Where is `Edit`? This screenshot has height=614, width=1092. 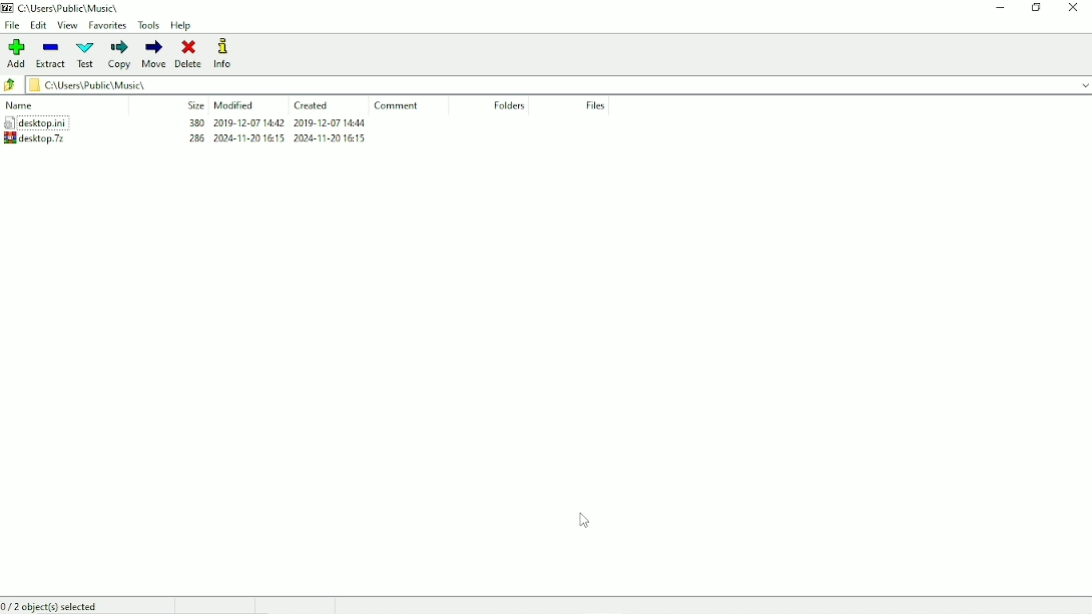 Edit is located at coordinates (39, 25).